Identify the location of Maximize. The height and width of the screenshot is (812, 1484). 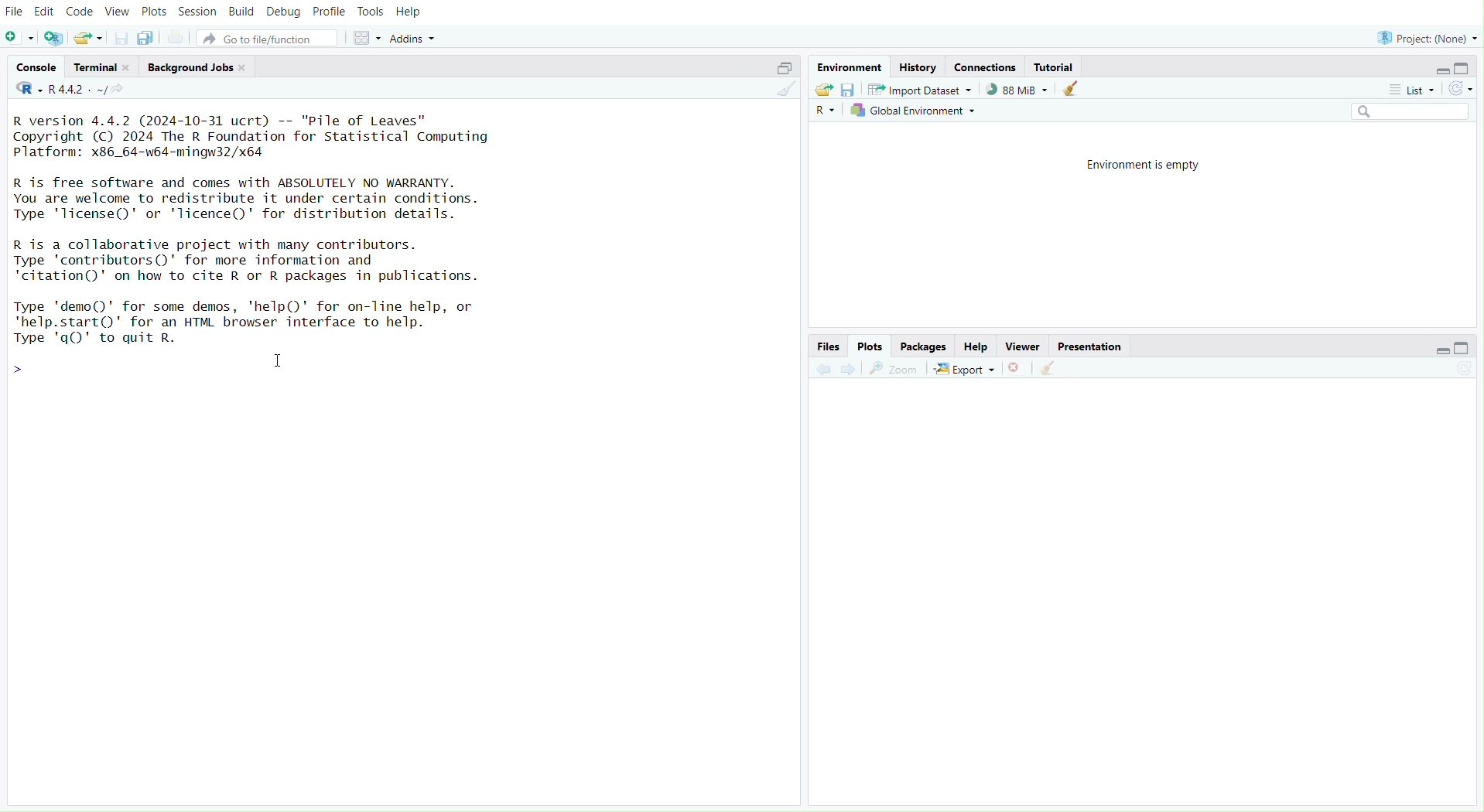
(1469, 347).